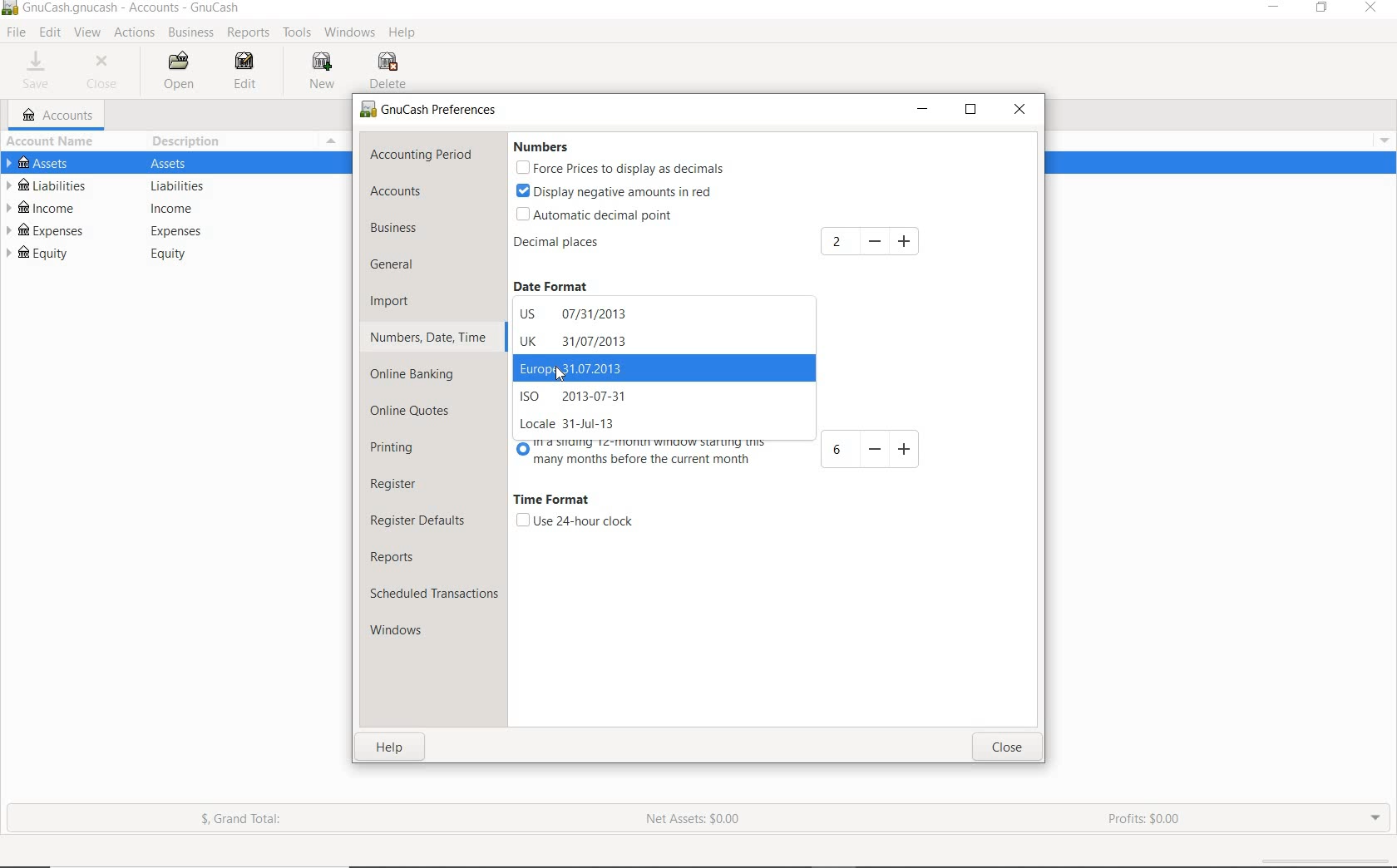 The height and width of the screenshot is (868, 1397). What do you see at coordinates (50, 32) in the screenshot?
I see `EDIT` at bounding box center [50, 32].